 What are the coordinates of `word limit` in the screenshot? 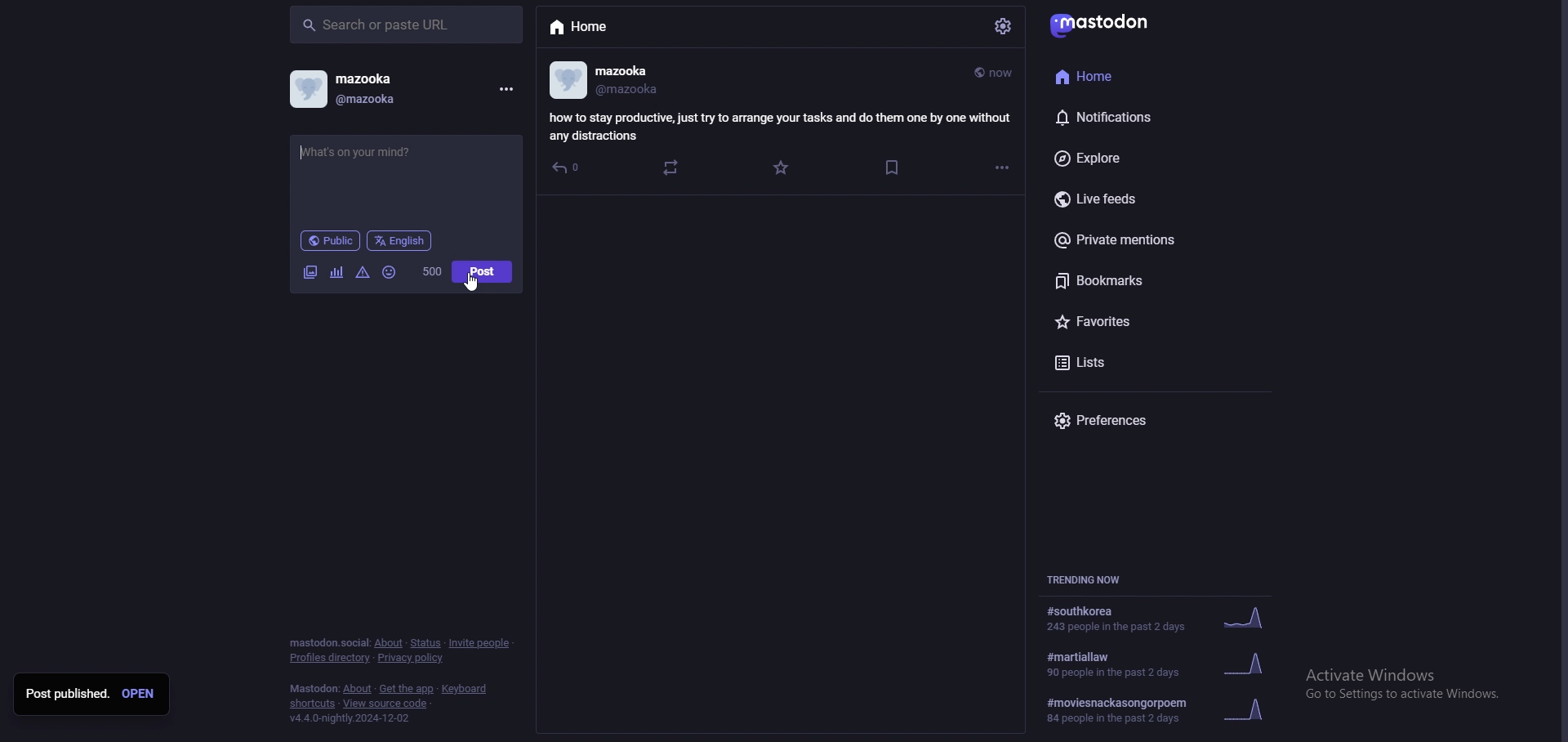 It's located at (434, 272).